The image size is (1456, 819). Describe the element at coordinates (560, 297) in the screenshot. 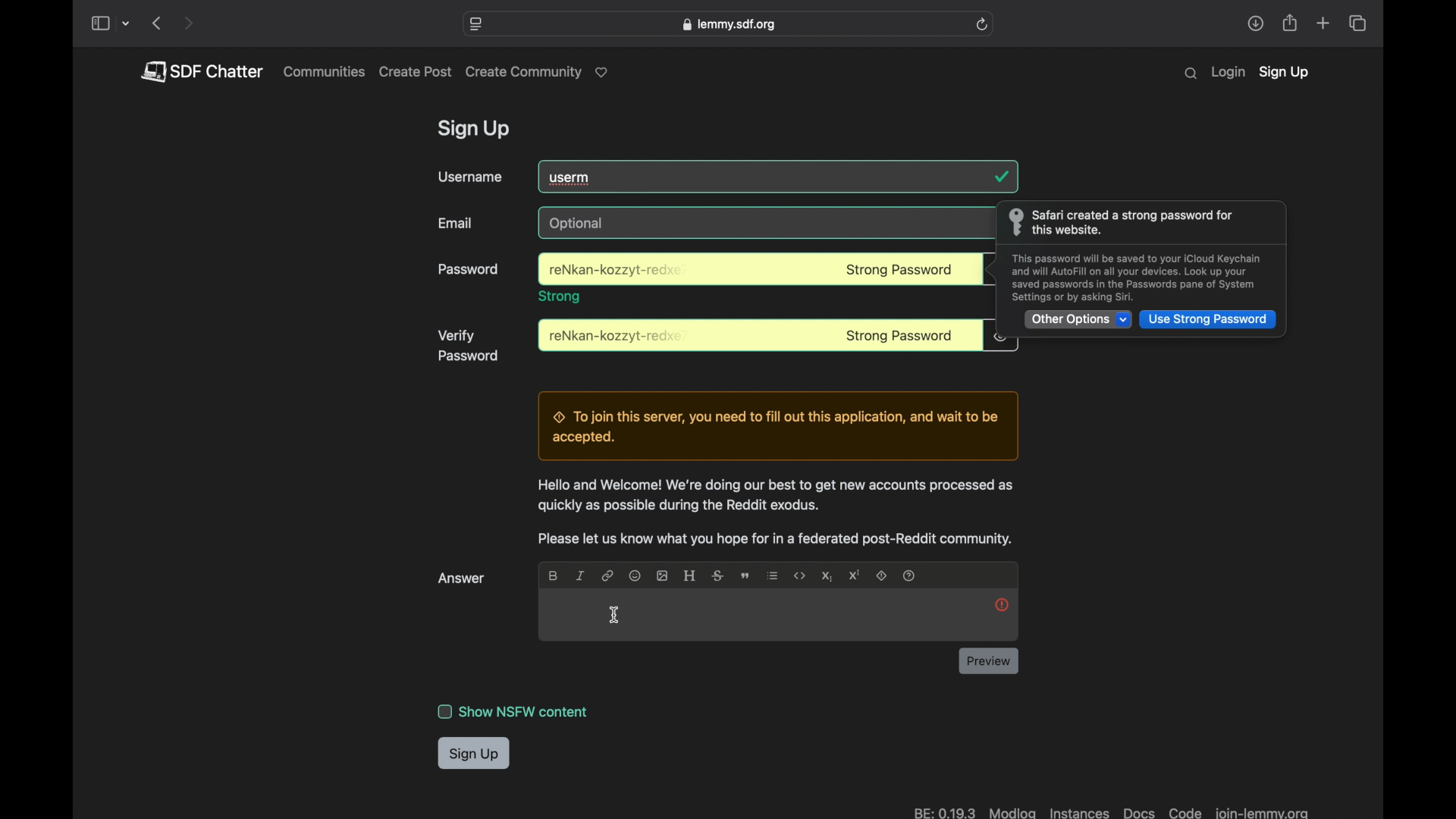

I see `trong` at that location.